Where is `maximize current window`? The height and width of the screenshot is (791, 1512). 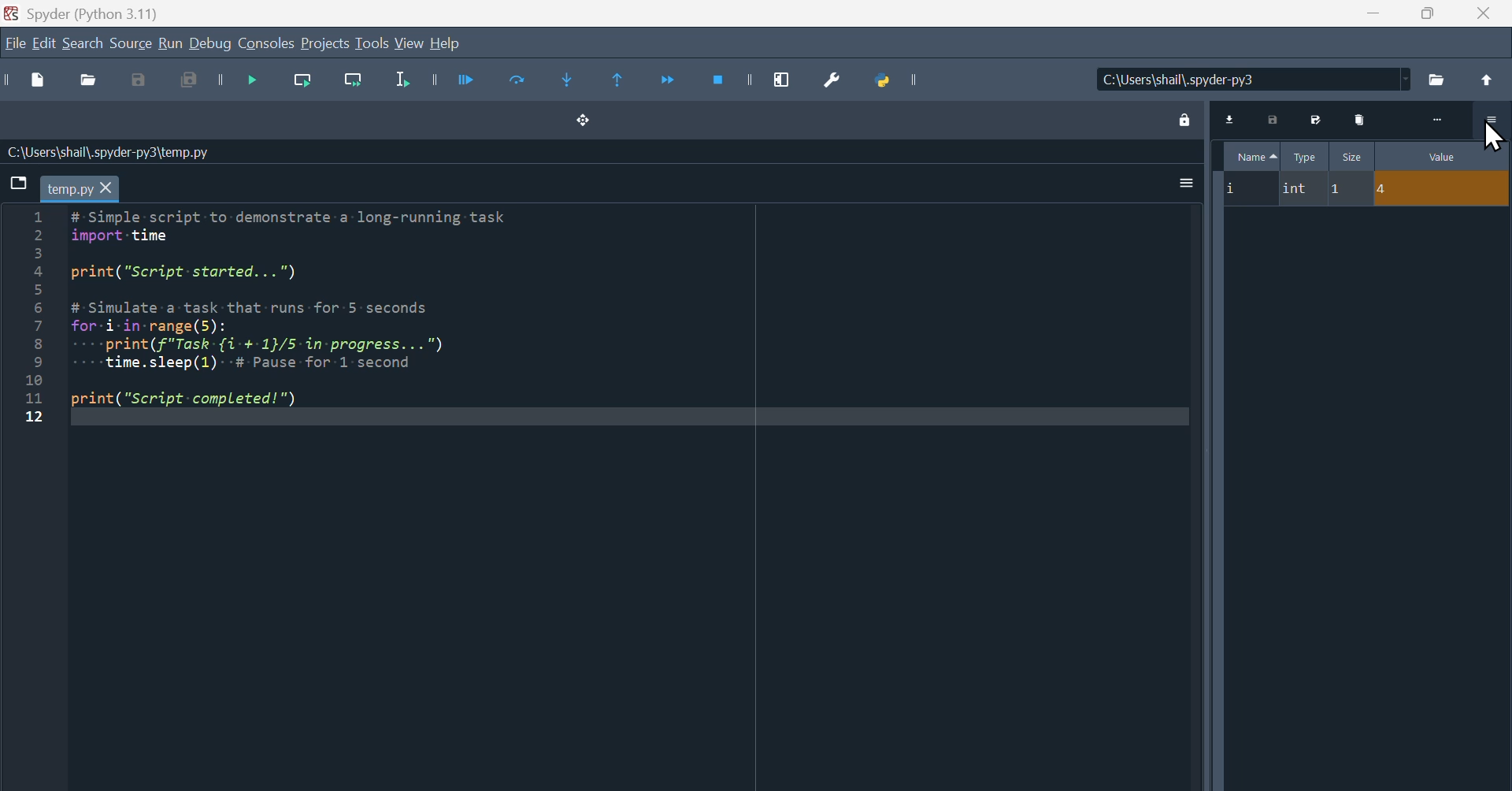
maximize current window is located at coordinates (782, 82).